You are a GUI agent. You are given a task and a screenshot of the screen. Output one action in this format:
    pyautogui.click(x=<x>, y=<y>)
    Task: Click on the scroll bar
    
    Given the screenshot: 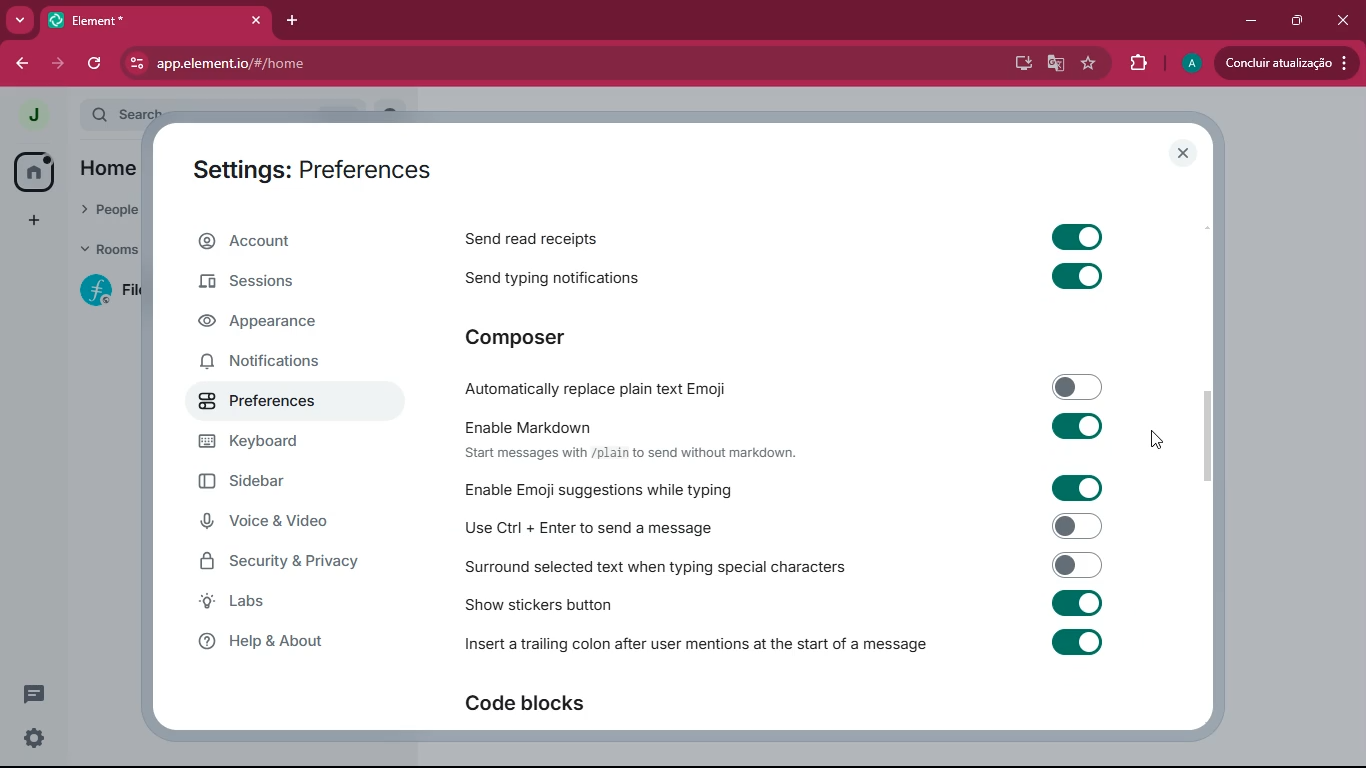 What is the action you would take?
    pyautogui.click(x=1210, y=439)
    